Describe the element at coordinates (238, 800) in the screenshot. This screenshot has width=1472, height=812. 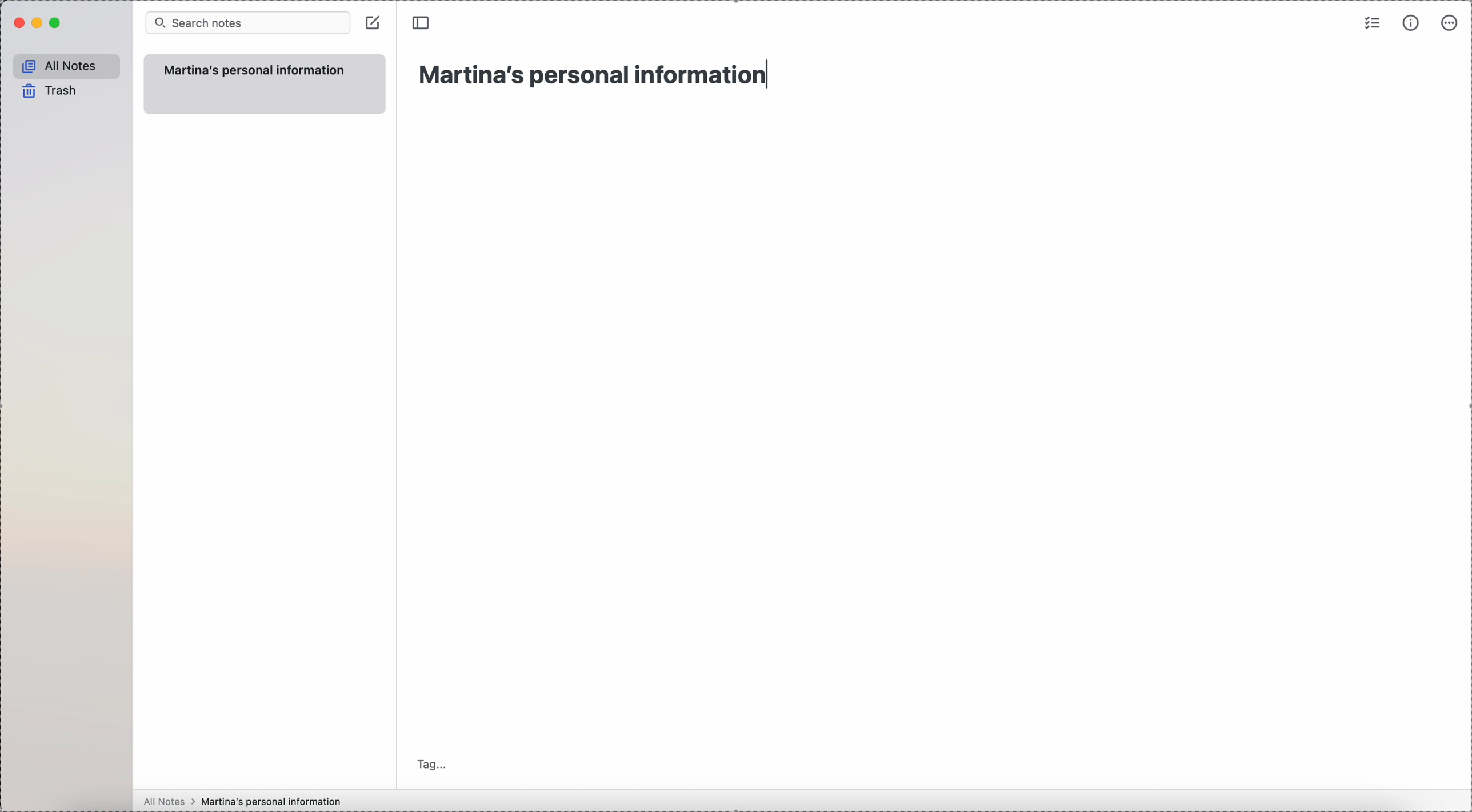
I see `all notes > Martina's personal information` at that location.